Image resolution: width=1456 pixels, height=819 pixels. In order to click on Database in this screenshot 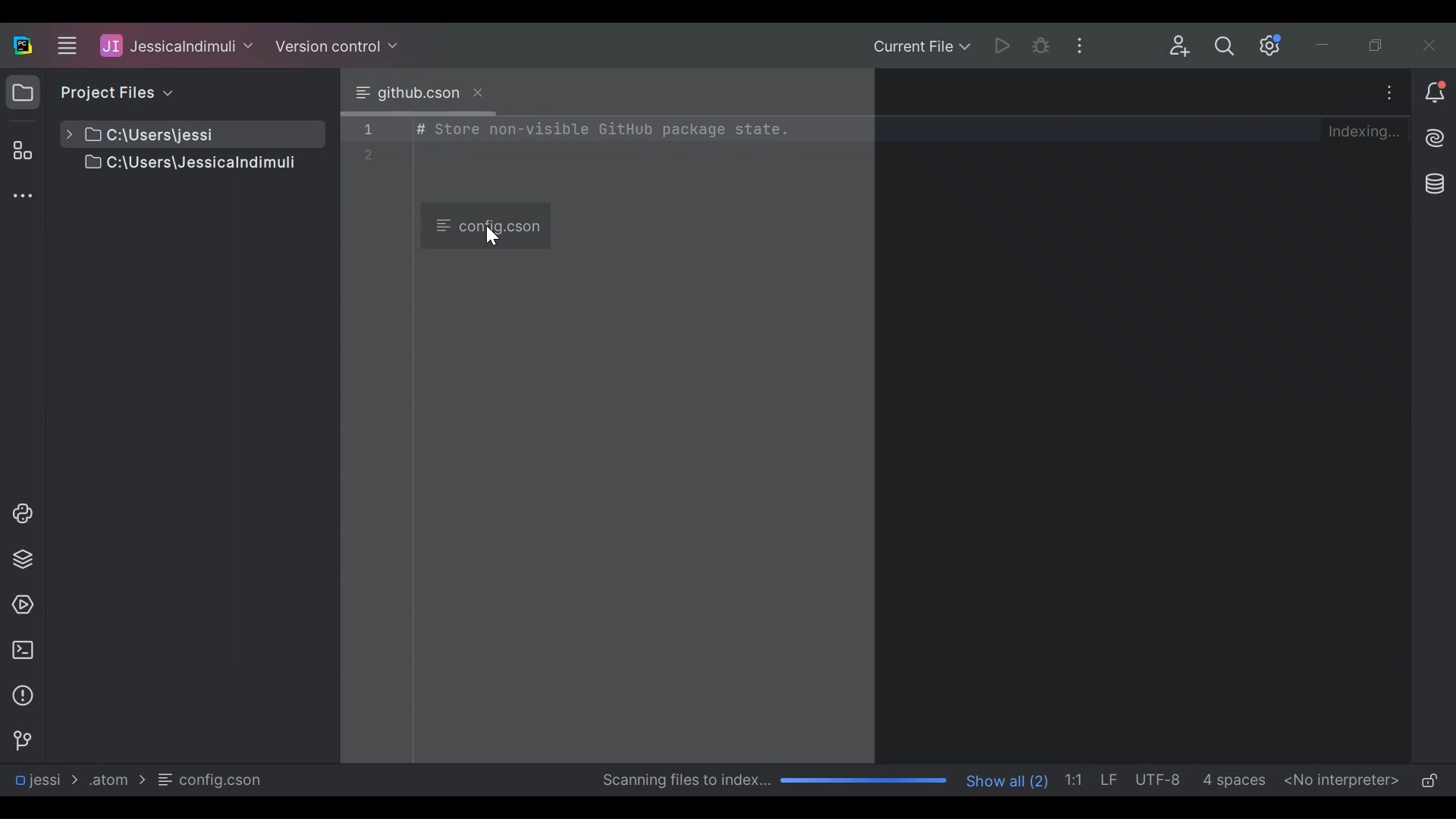, I will do `click(1436, 185)`.